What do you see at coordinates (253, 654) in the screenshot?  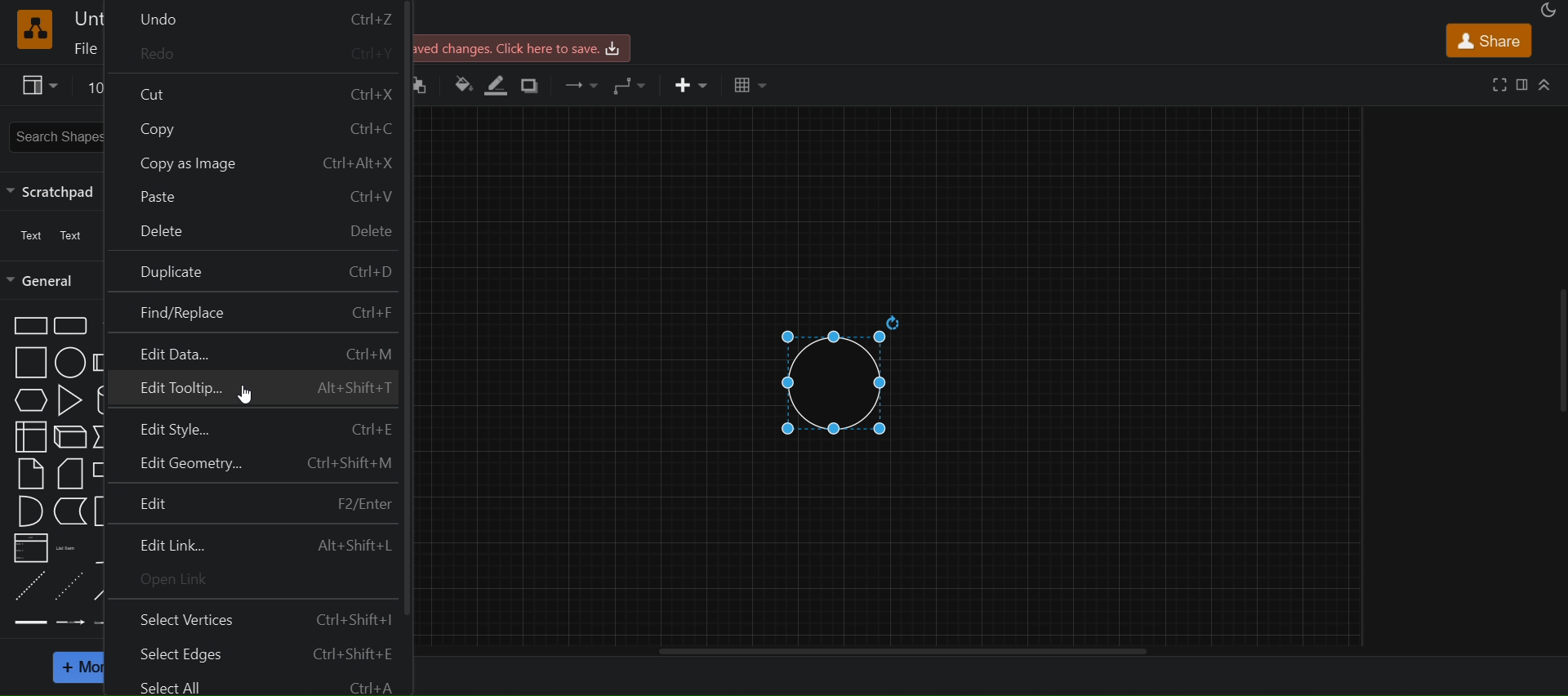 I see `select edges` at bounding box center [253, 654].